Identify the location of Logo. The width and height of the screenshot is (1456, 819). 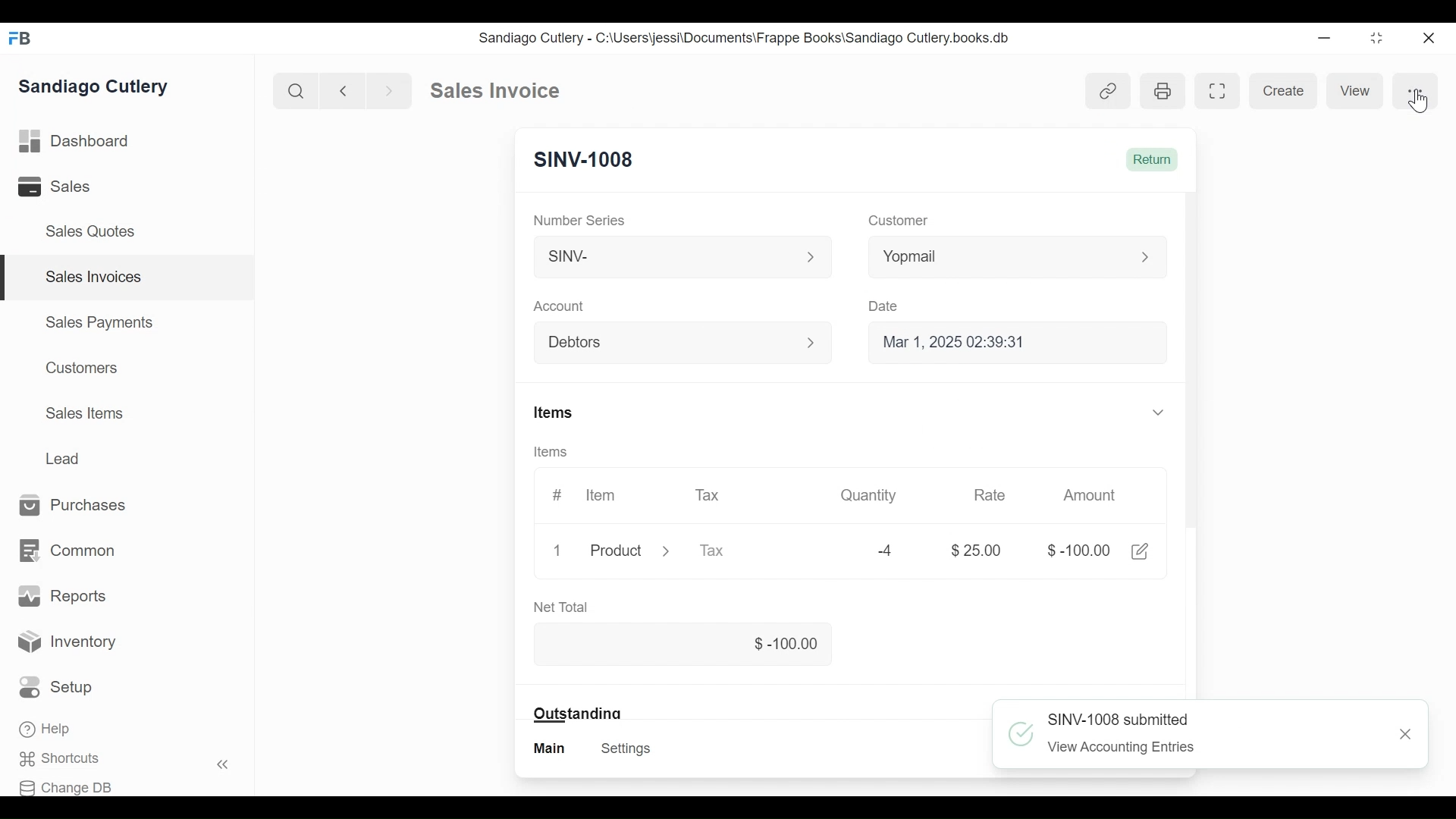
(1022, 734).